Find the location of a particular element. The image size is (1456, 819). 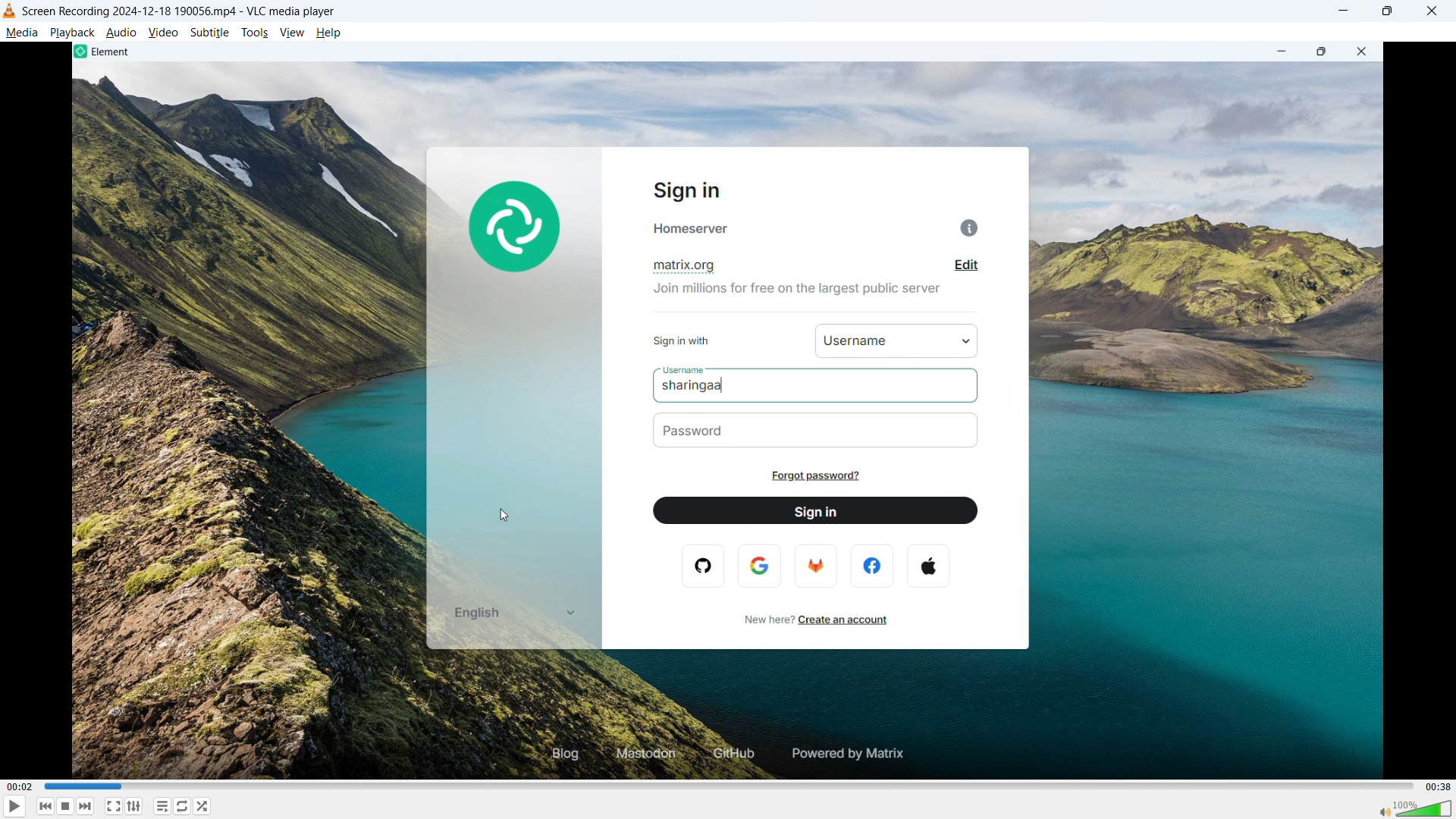

Sign in with is located at coordinates (691, 340).